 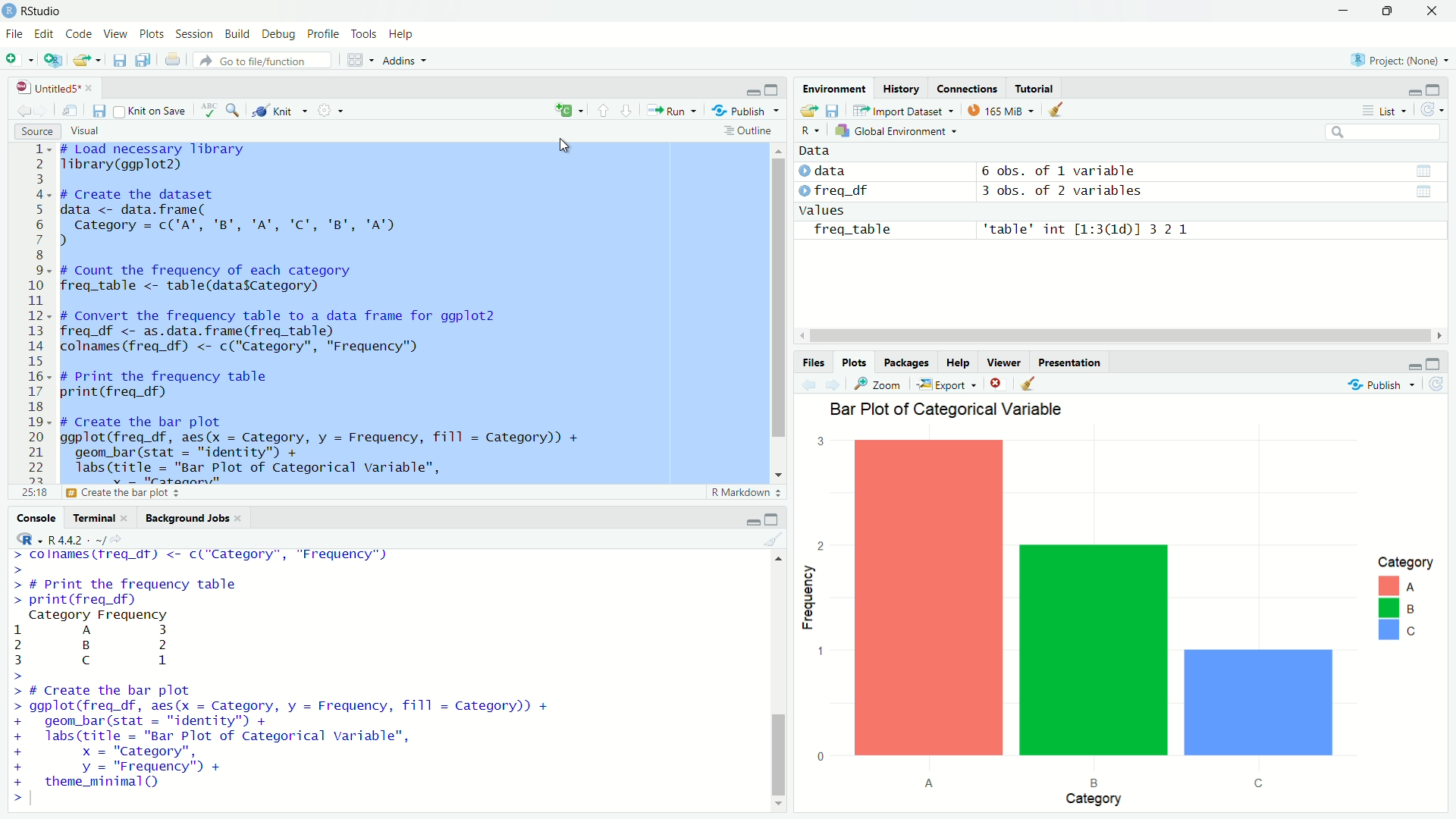 I want to click on save, so click(x=122, y=60).